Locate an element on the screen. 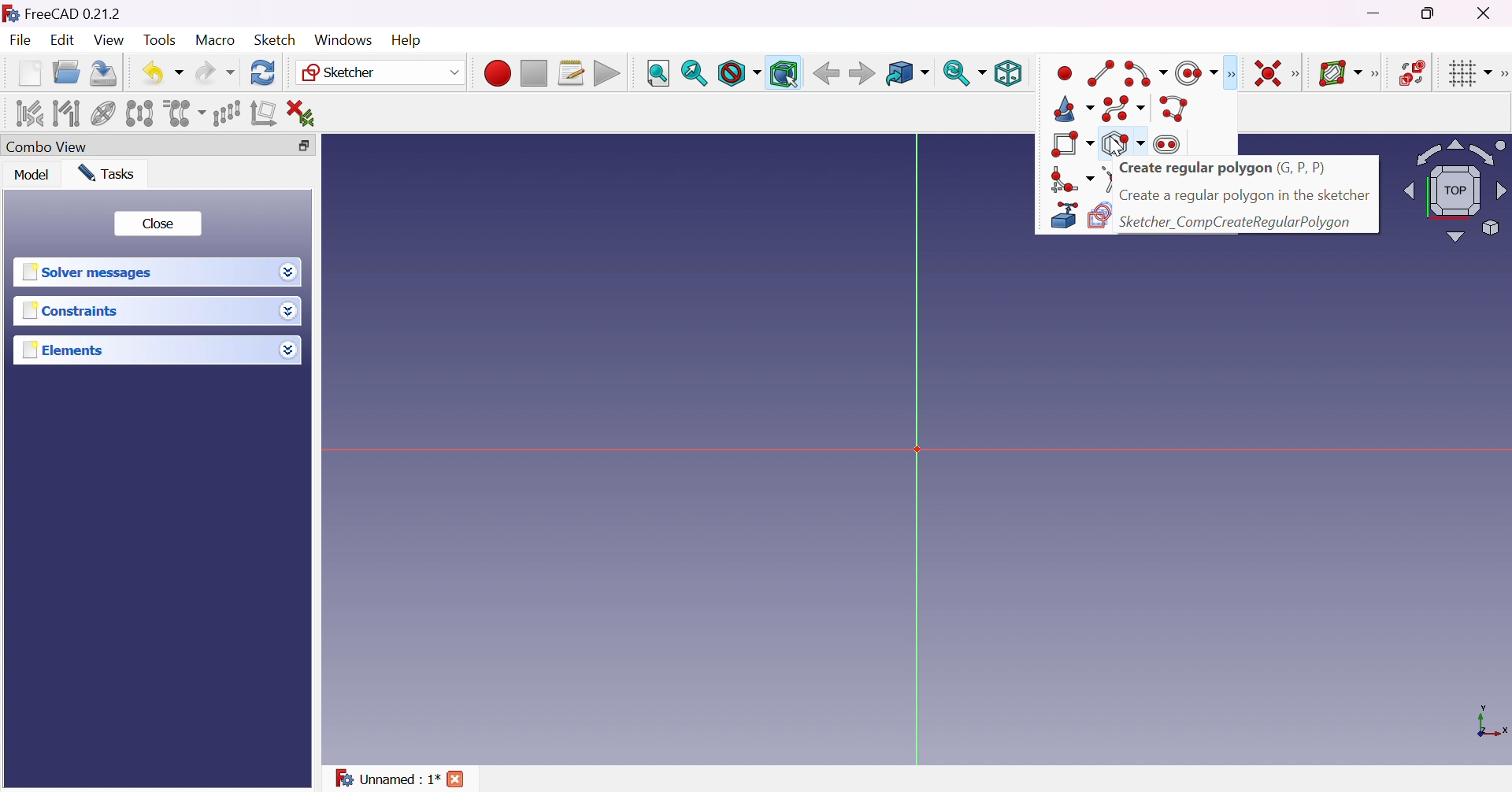  Create conic is located at coordinates (1075, 108).